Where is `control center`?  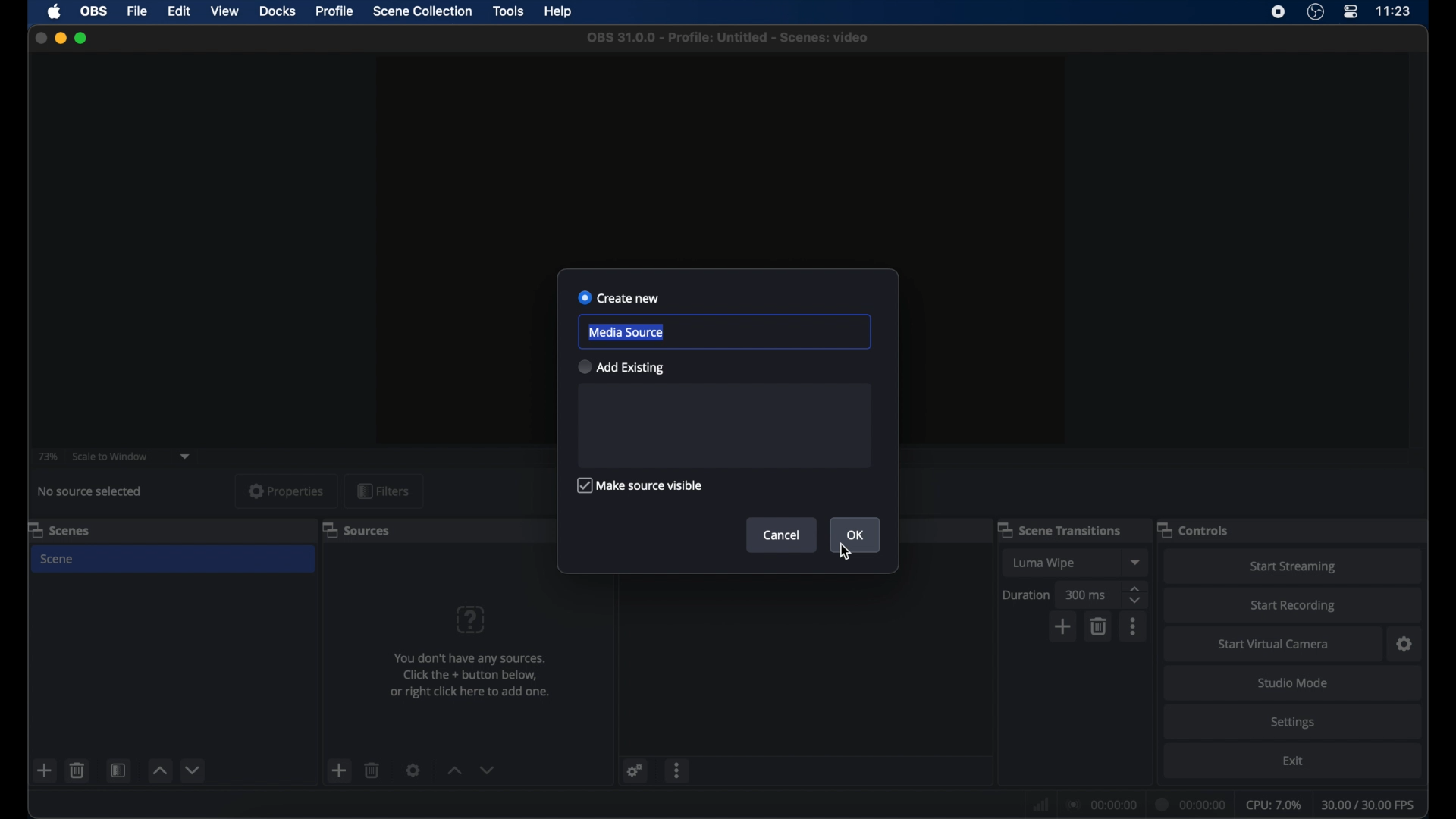
control center is located at coordinates (1350, 11).